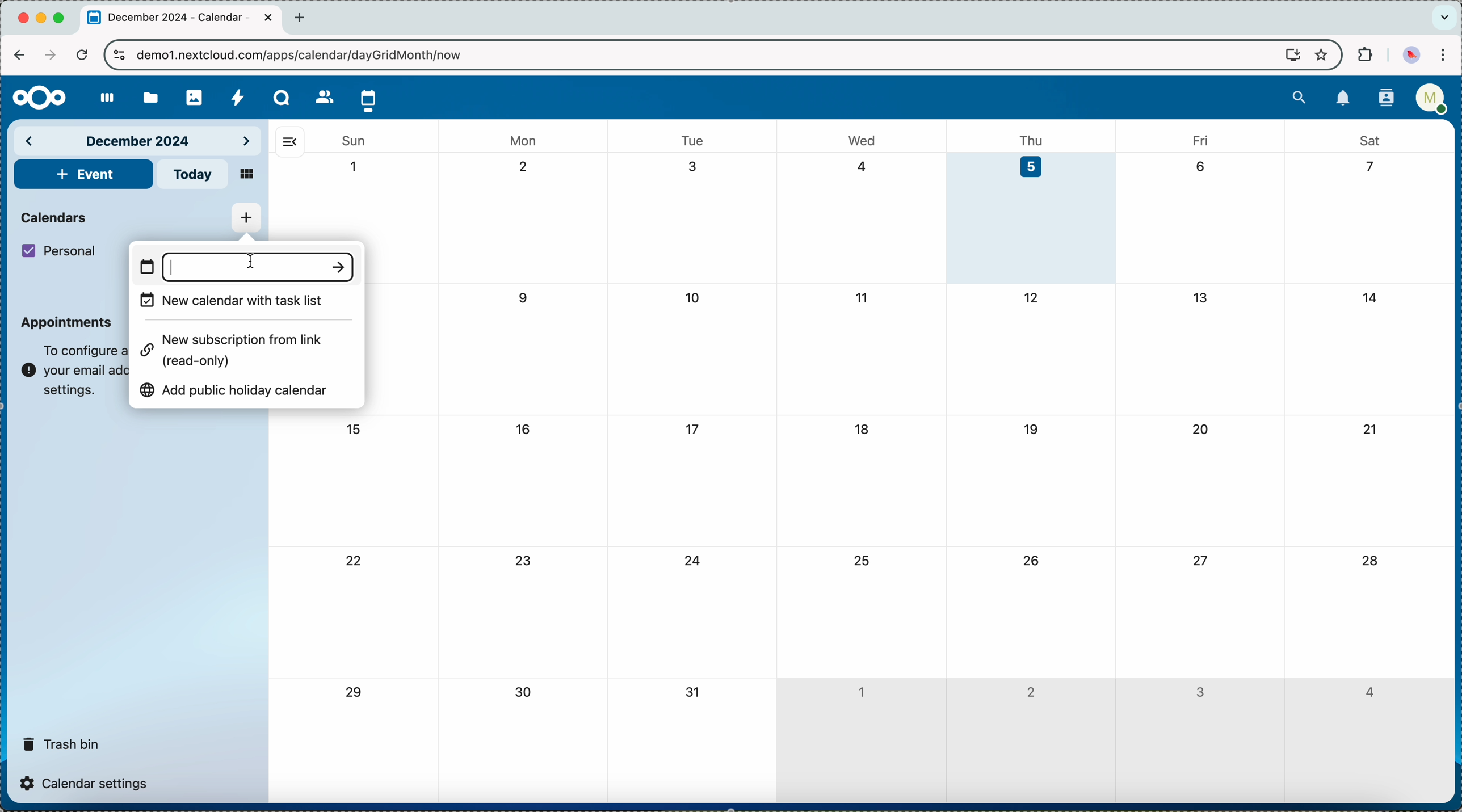 Image resolution: width=1462 pixels, height=812 pixels. Describe the element at coordinates (83, 174) in the screenshot. I see `add event` at that location.